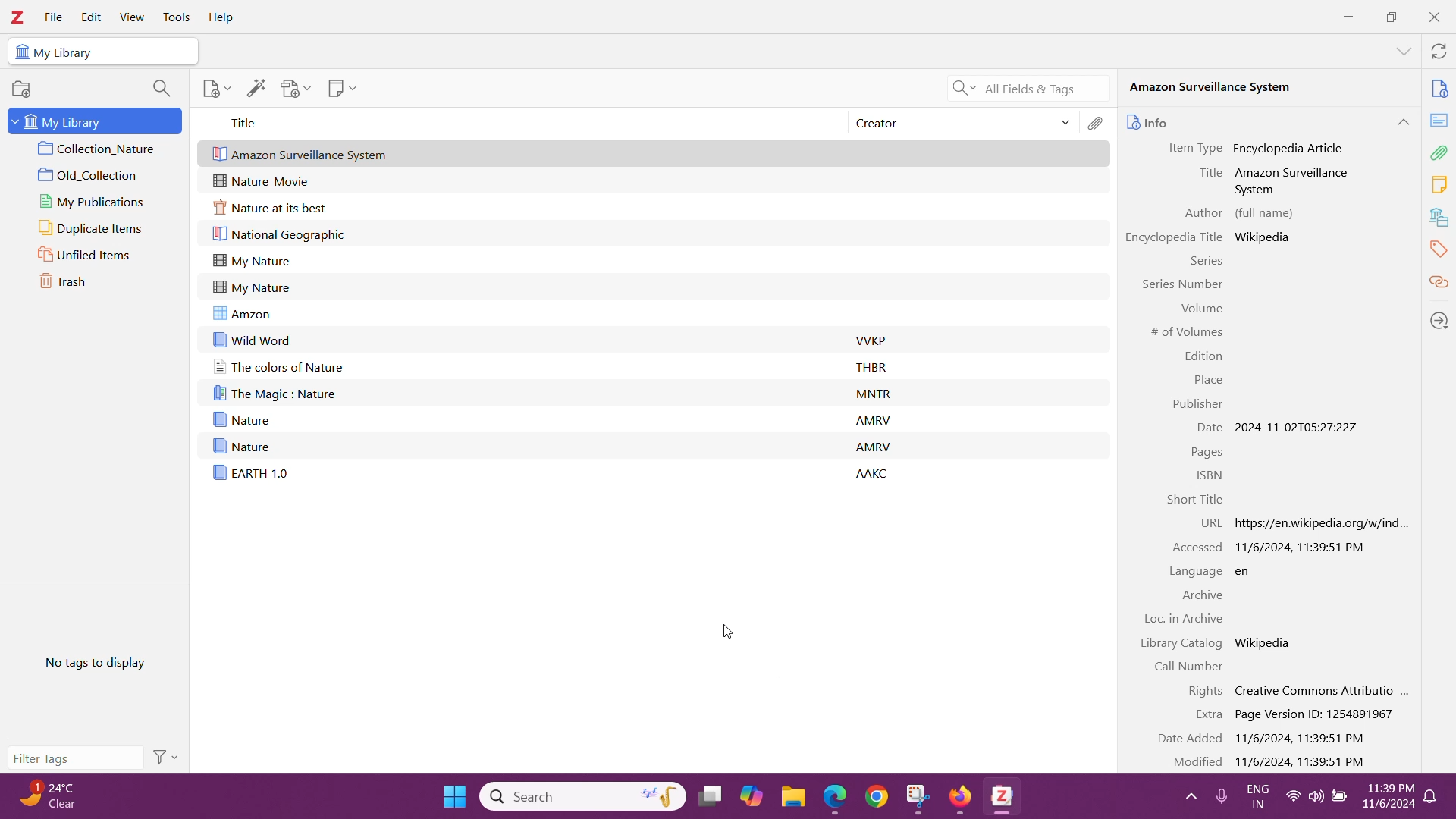  I want to click on Weather, so click(53, 796).